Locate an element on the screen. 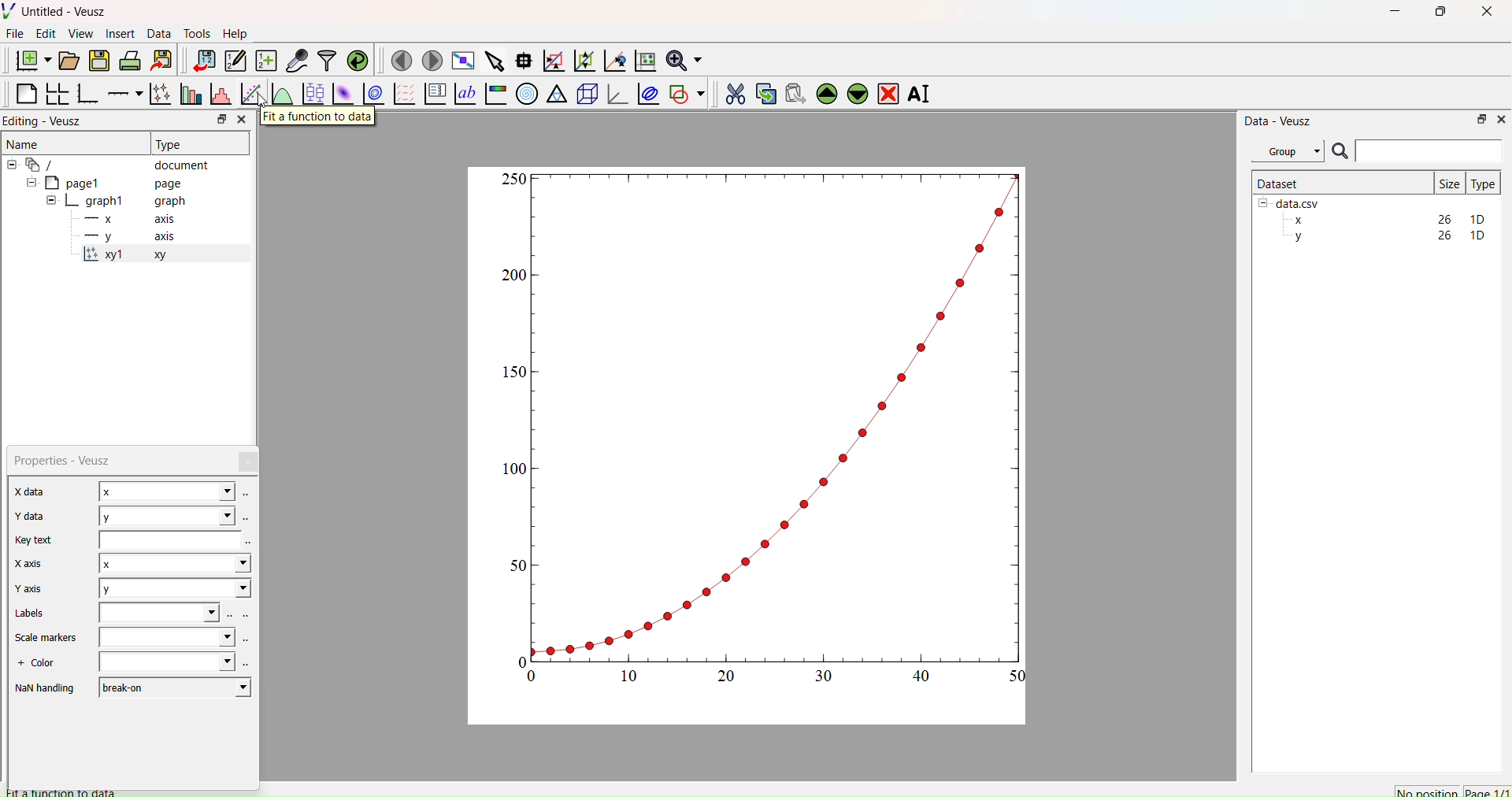 The image size is (1512, 797). document is located at coordinates (114, 164).